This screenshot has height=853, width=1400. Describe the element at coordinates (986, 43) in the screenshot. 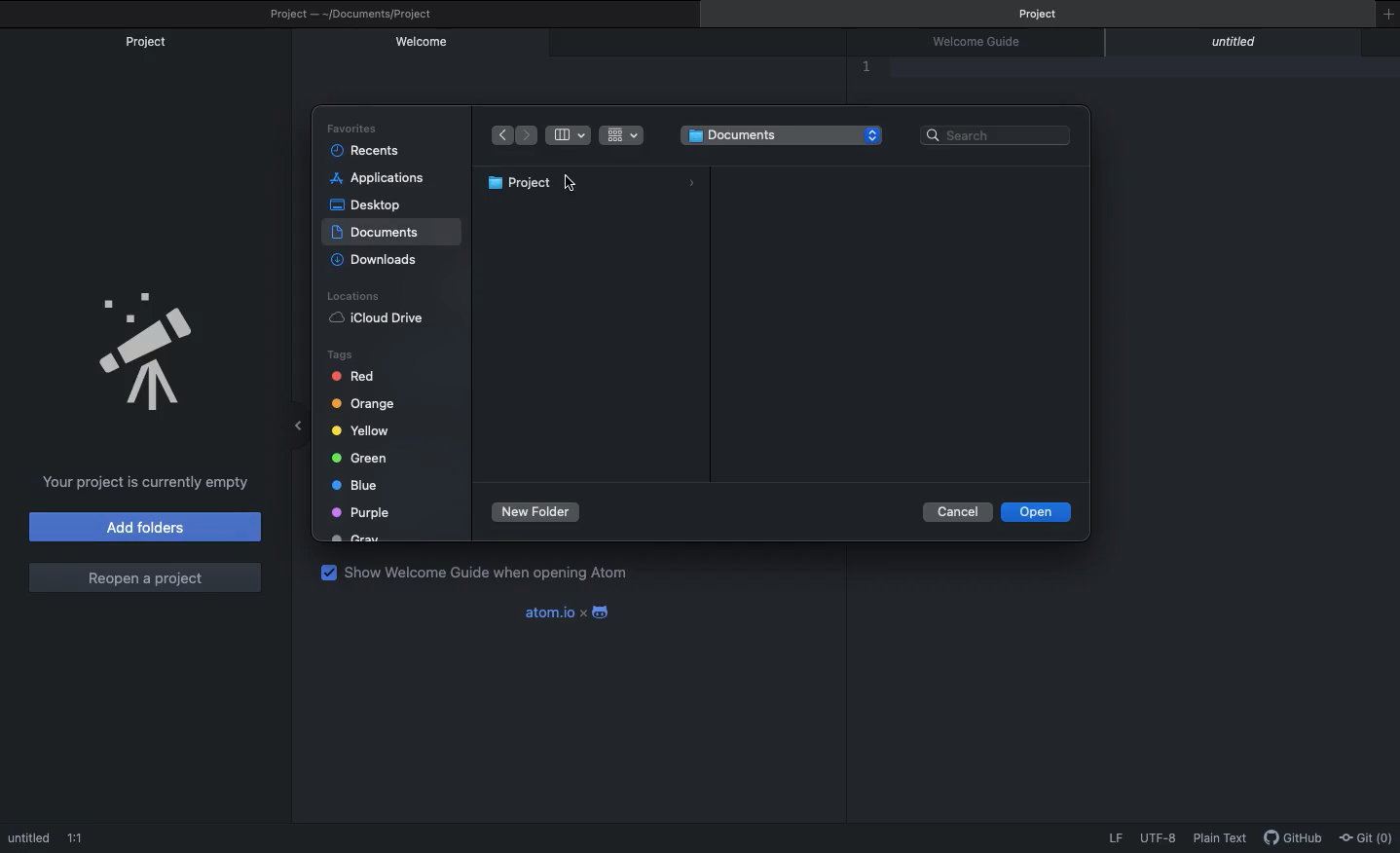

I see `Welcome guide` at that location.